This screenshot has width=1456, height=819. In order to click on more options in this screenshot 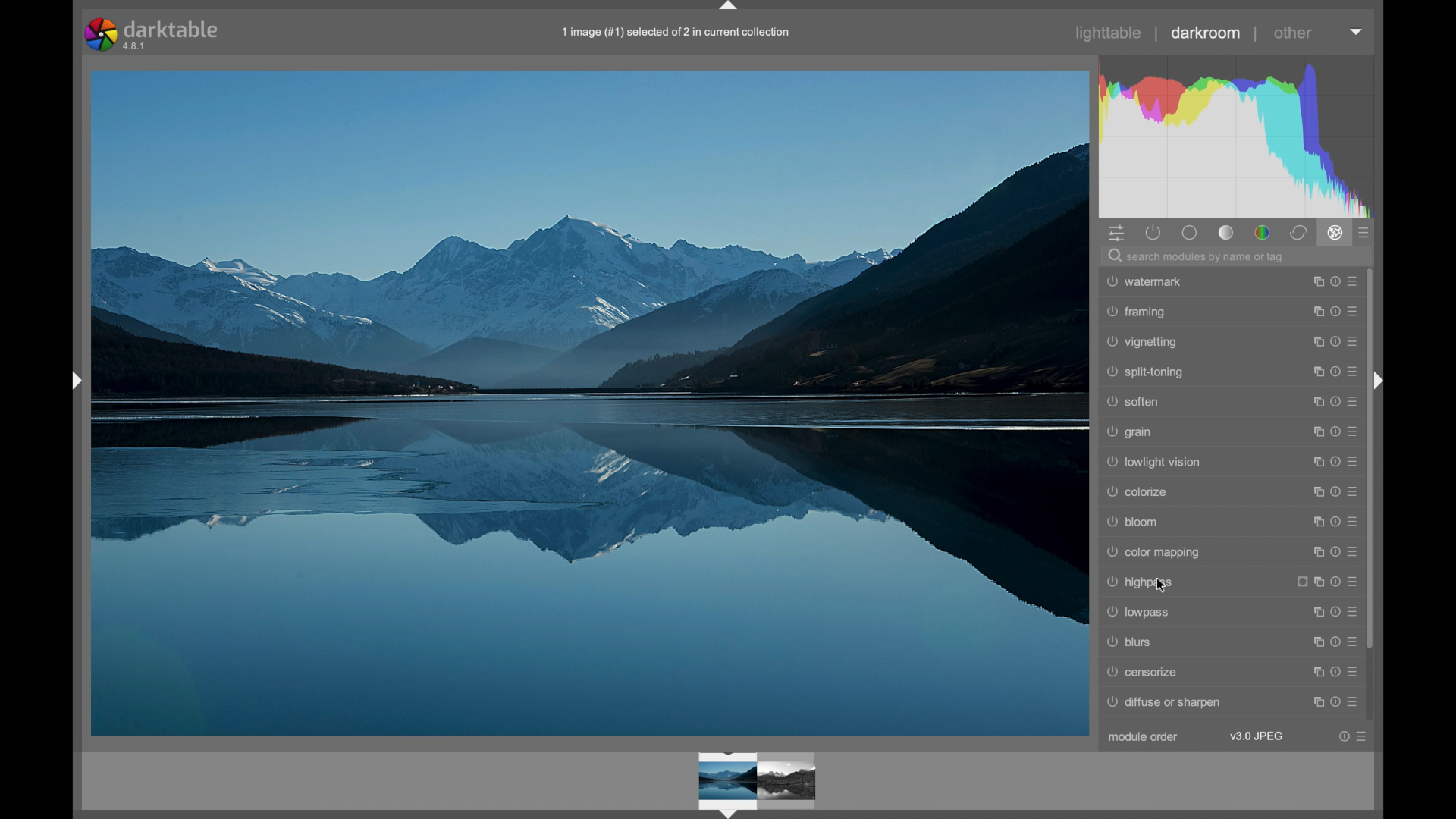, I will do `click(1333, 522)`.